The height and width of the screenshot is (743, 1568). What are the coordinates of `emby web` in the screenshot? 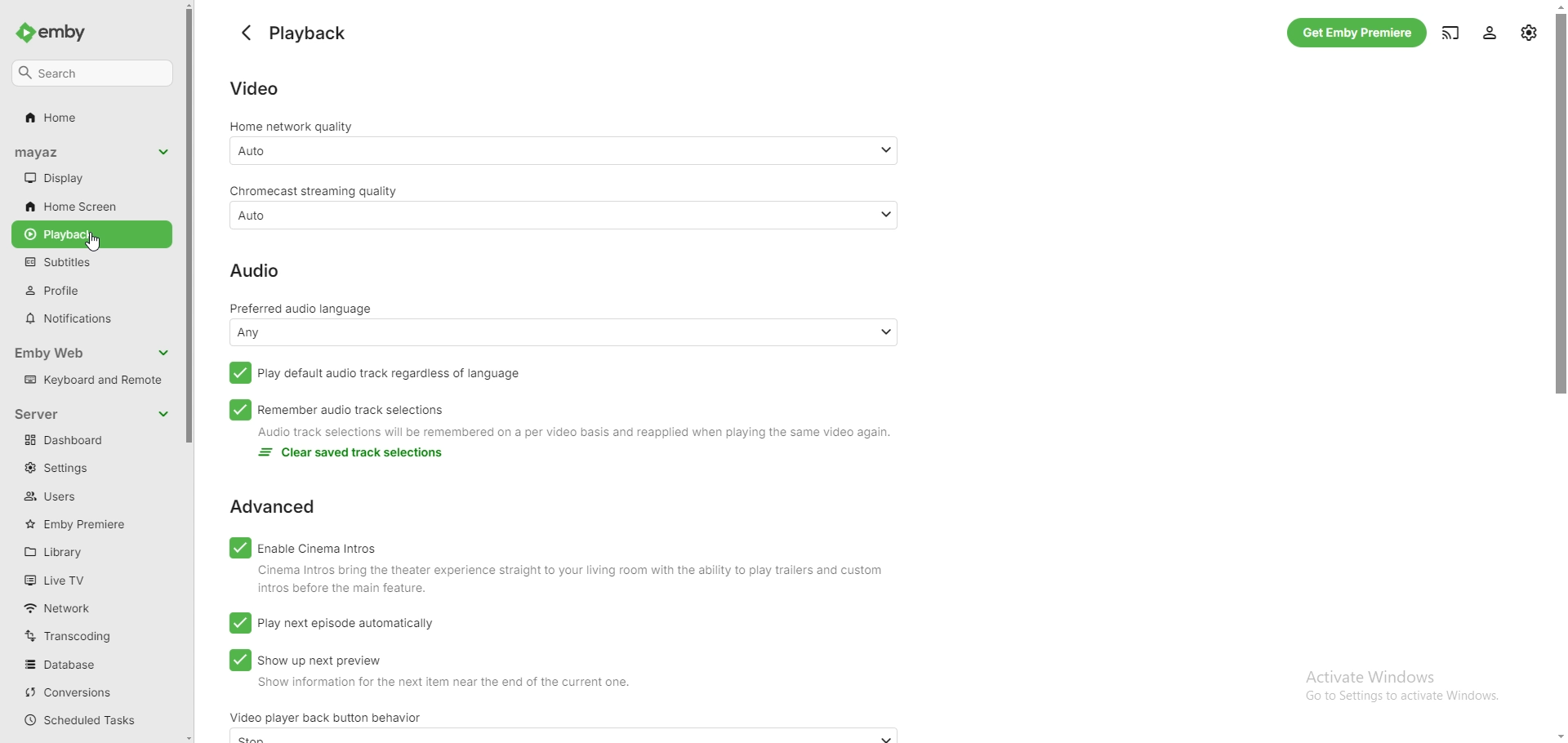 It's located at (77, 353).